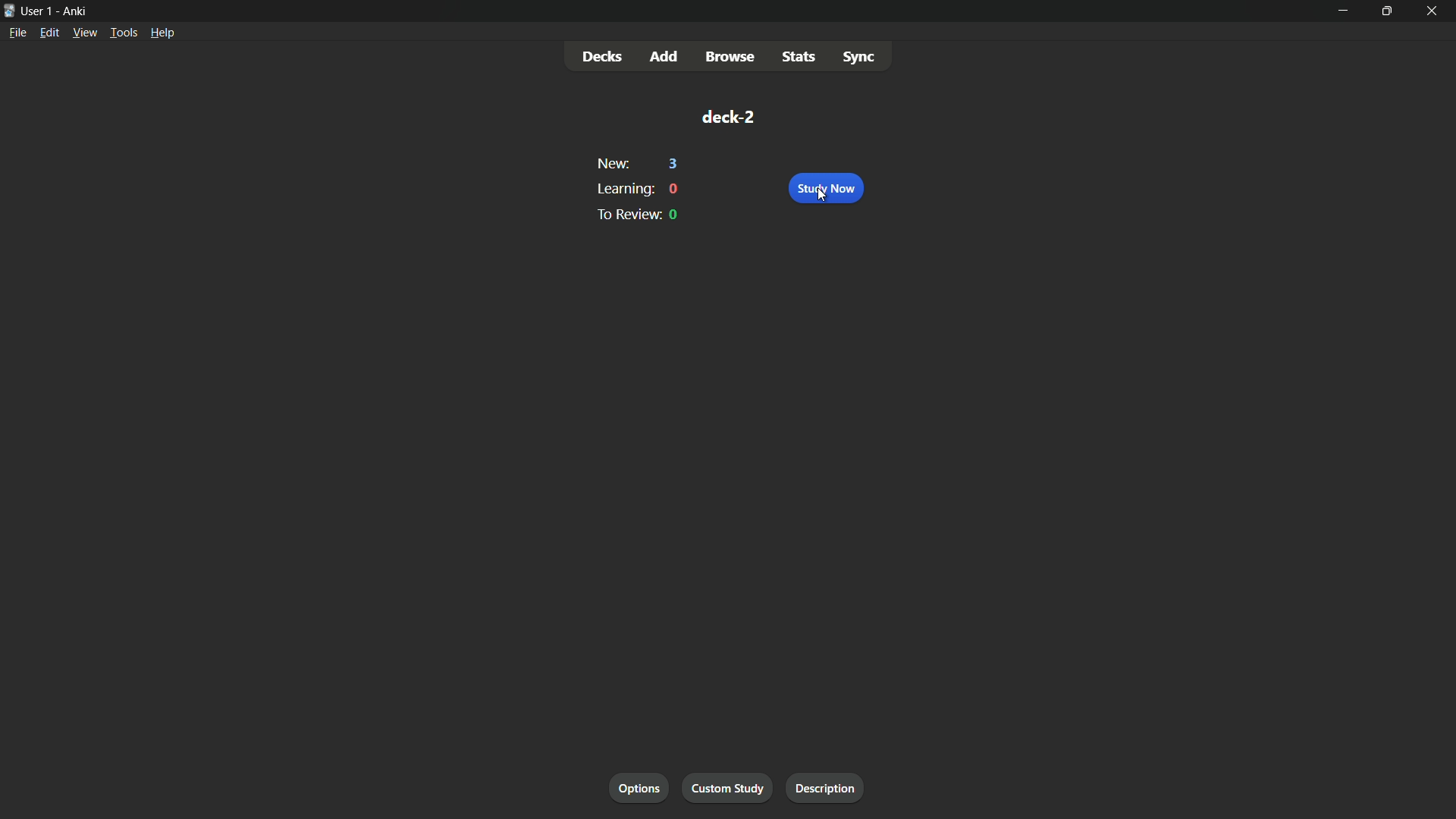  I want to click on app name, so click(76, 12).